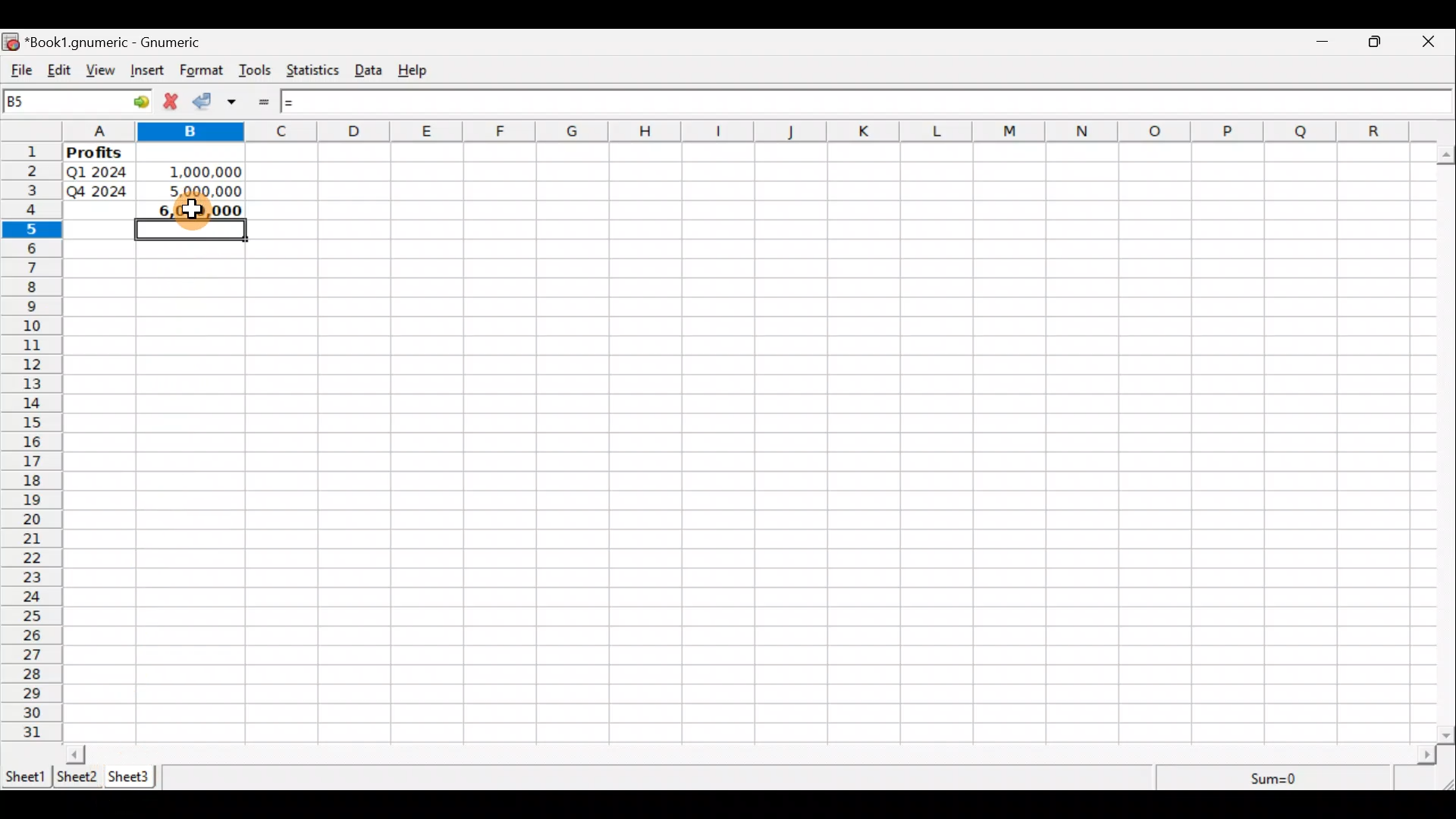  I want to click on scroll down, so click(1447, 735).